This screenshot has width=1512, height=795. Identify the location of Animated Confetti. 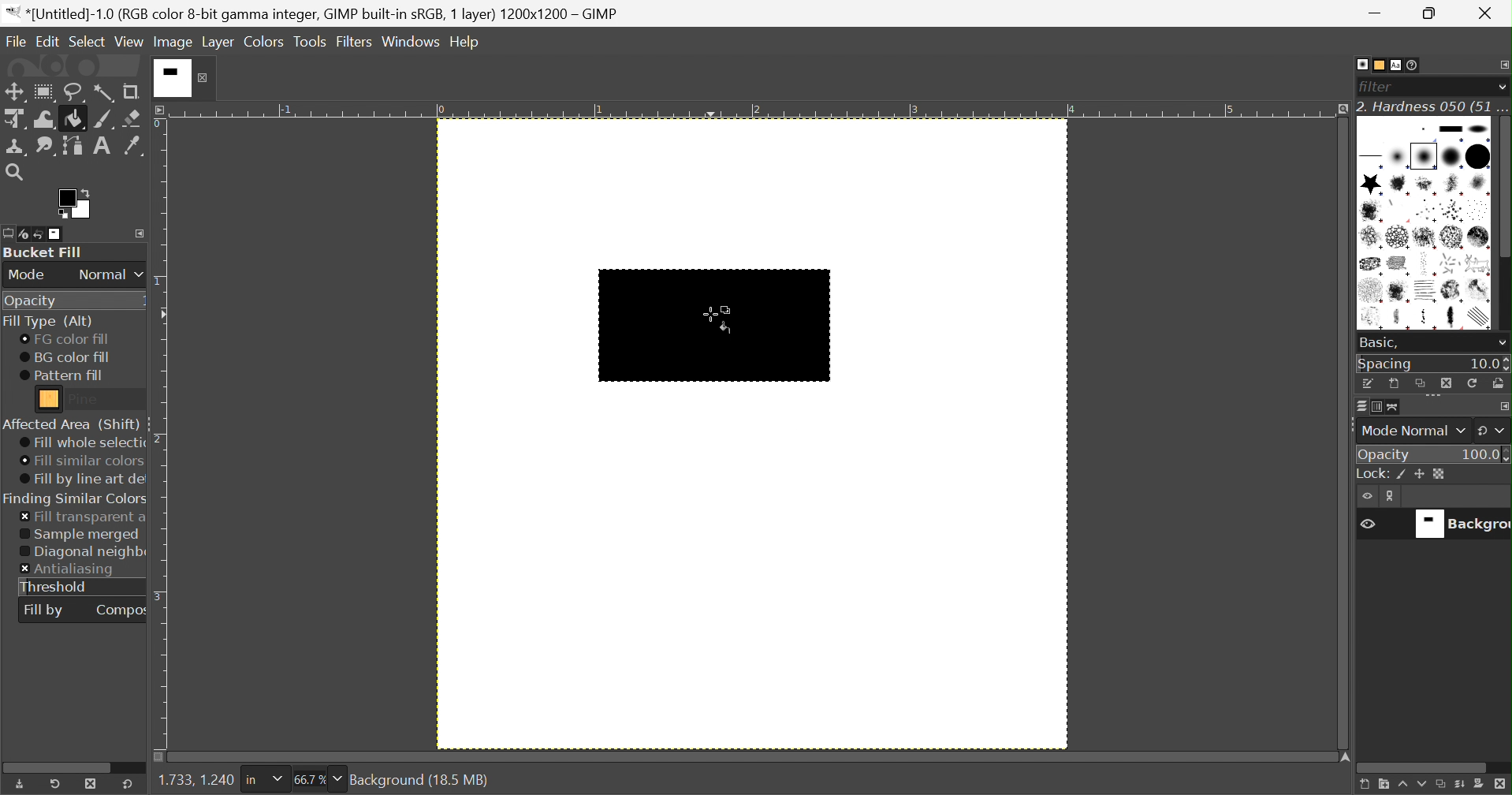
(1398, 211).